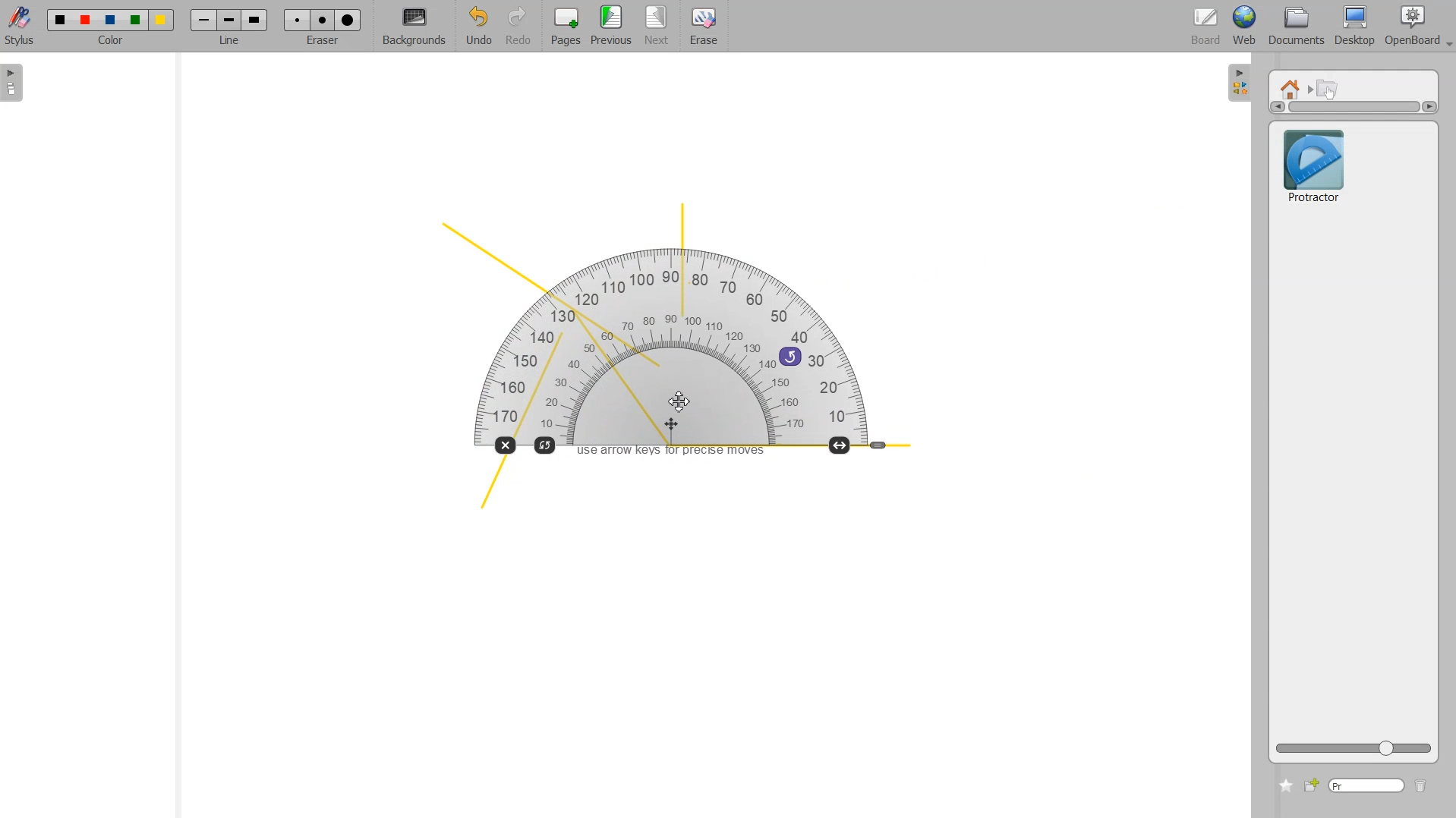  What do you see at coordinates (21, 25) in the screenshot?
I see `Stylus` at bounding box center [21, 25].